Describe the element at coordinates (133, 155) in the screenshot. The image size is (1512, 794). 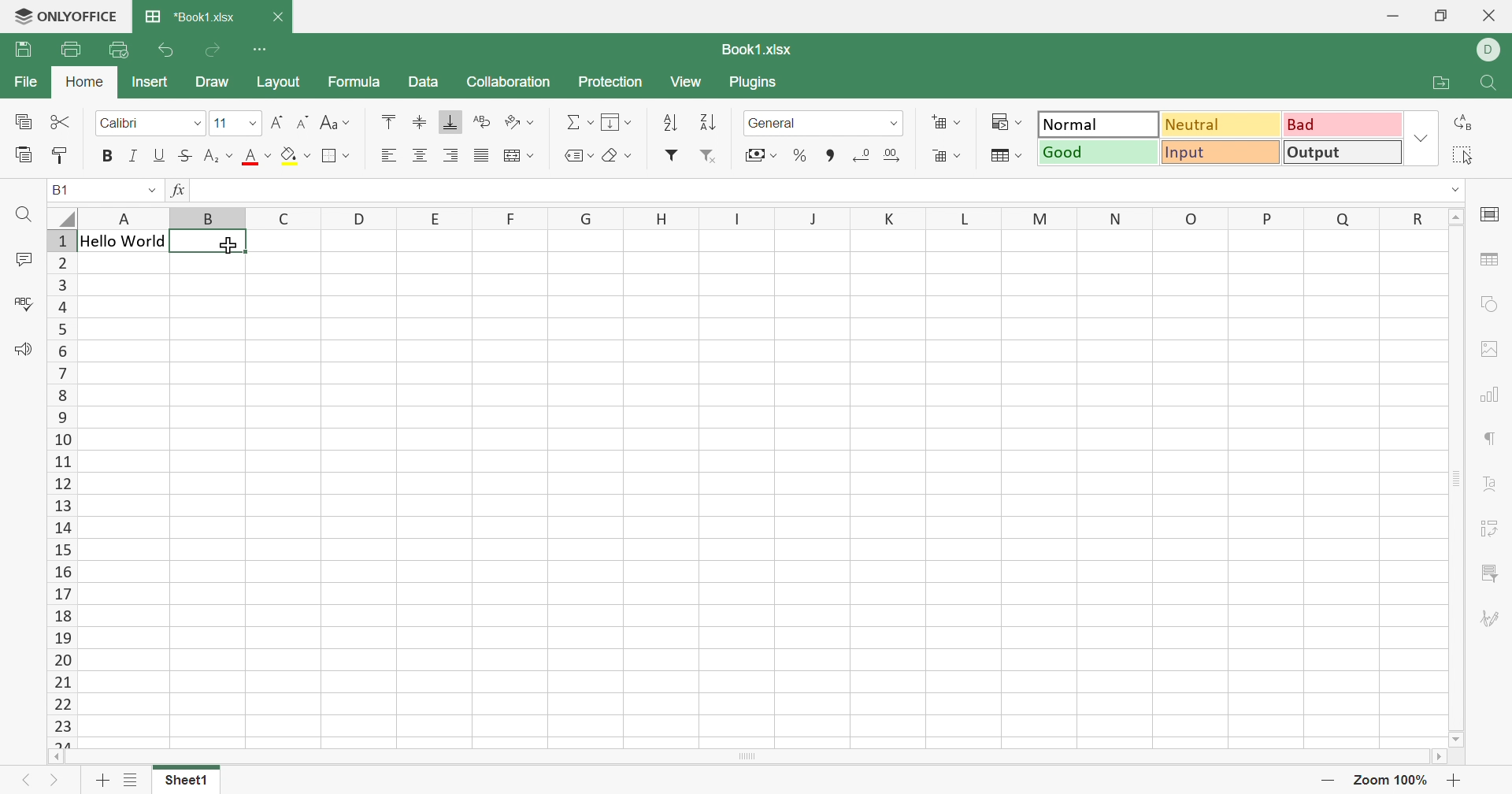
I see `Italic` at that location.